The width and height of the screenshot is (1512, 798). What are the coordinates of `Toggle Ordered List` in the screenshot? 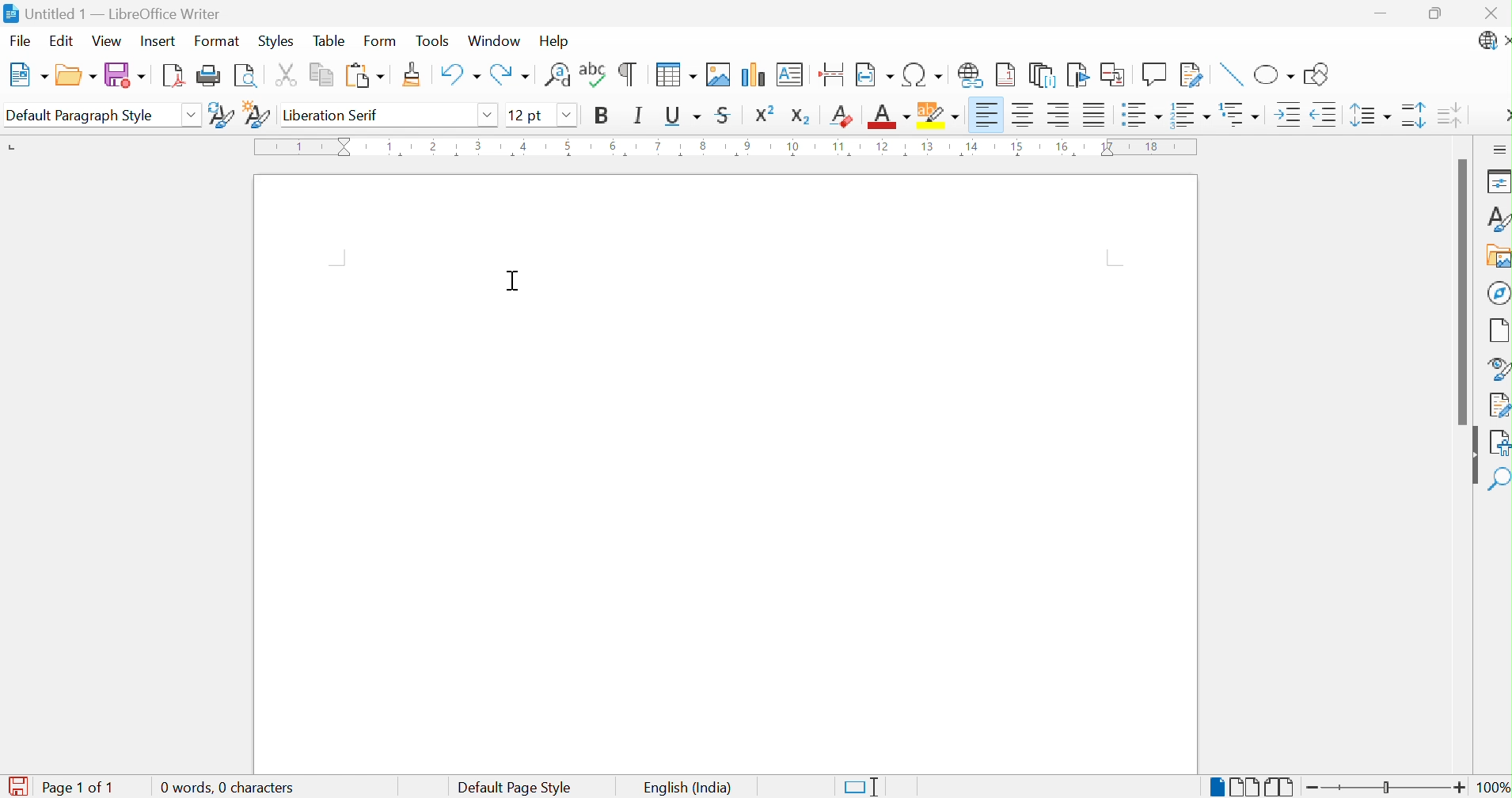 It's located at (1189, 114).